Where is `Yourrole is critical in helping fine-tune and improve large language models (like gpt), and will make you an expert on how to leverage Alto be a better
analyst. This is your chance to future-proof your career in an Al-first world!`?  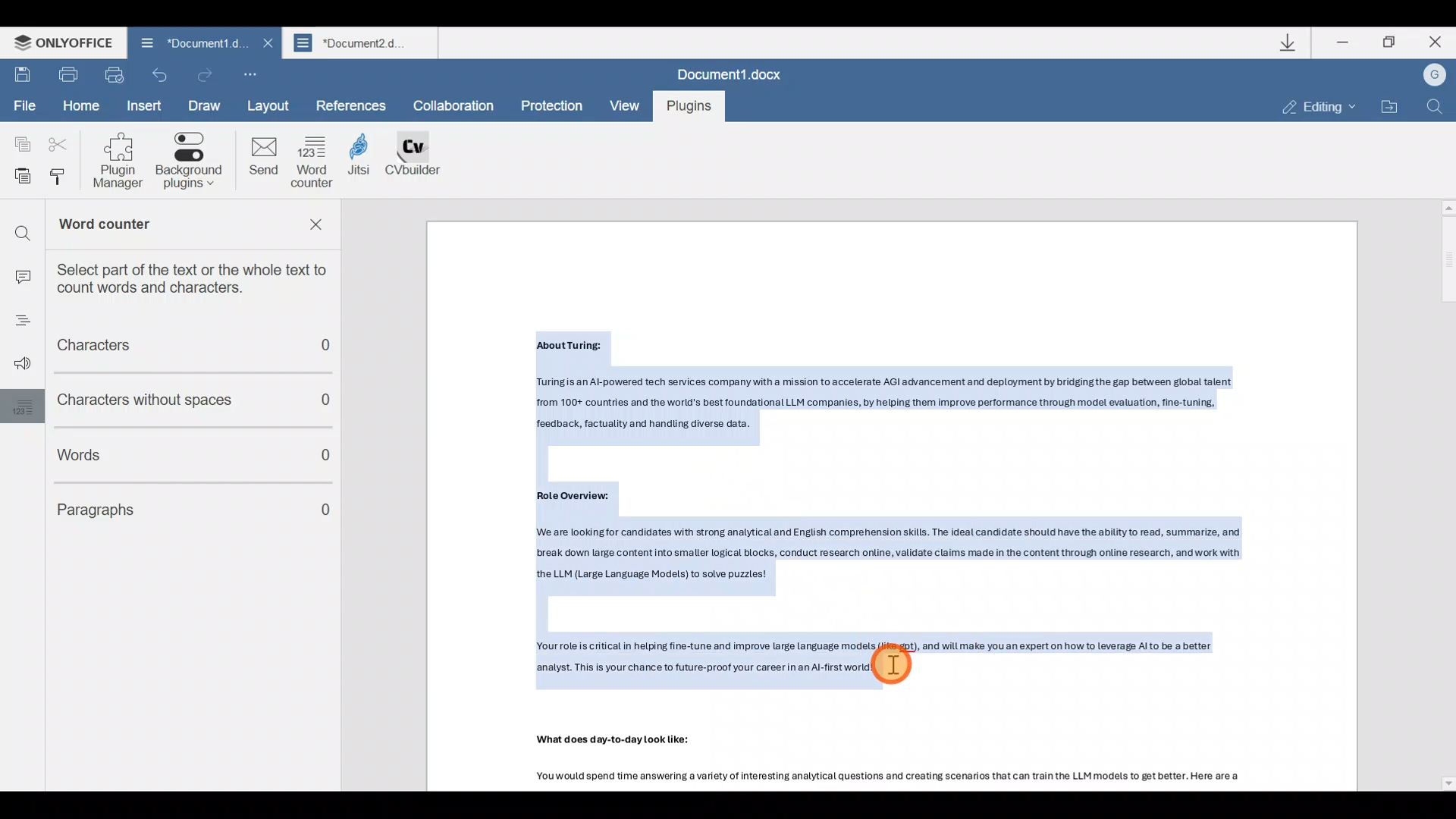 Yourrole is critical in helping fine-tune and improve large language models (like gpt), and will make you an expert on how to leverage Alto be a better
analyst. This is your chance to future-proof your career in an Al-first world! is located at coordinates (918, 658).